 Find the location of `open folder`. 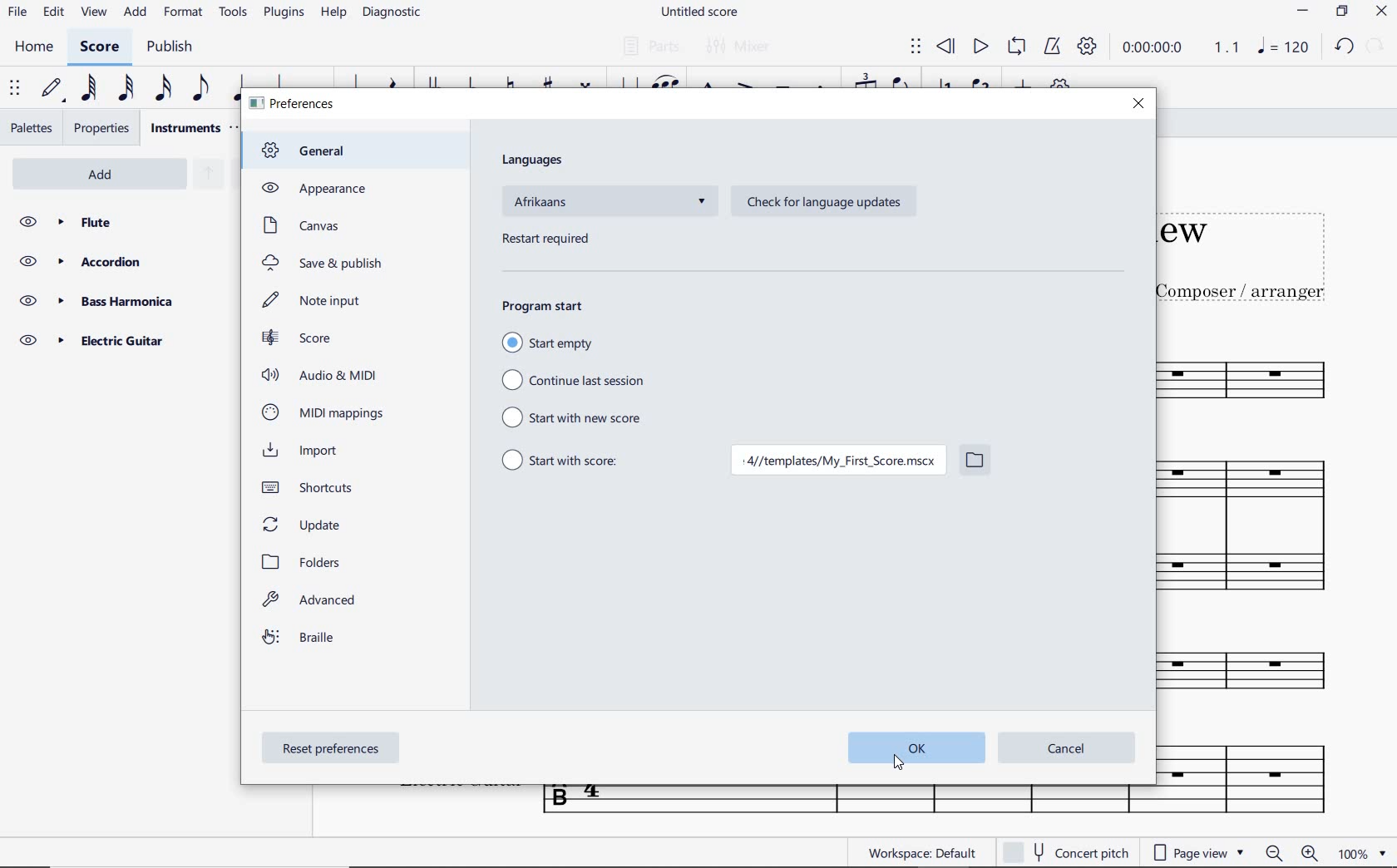

open folder is located at coordinates (975, 462).